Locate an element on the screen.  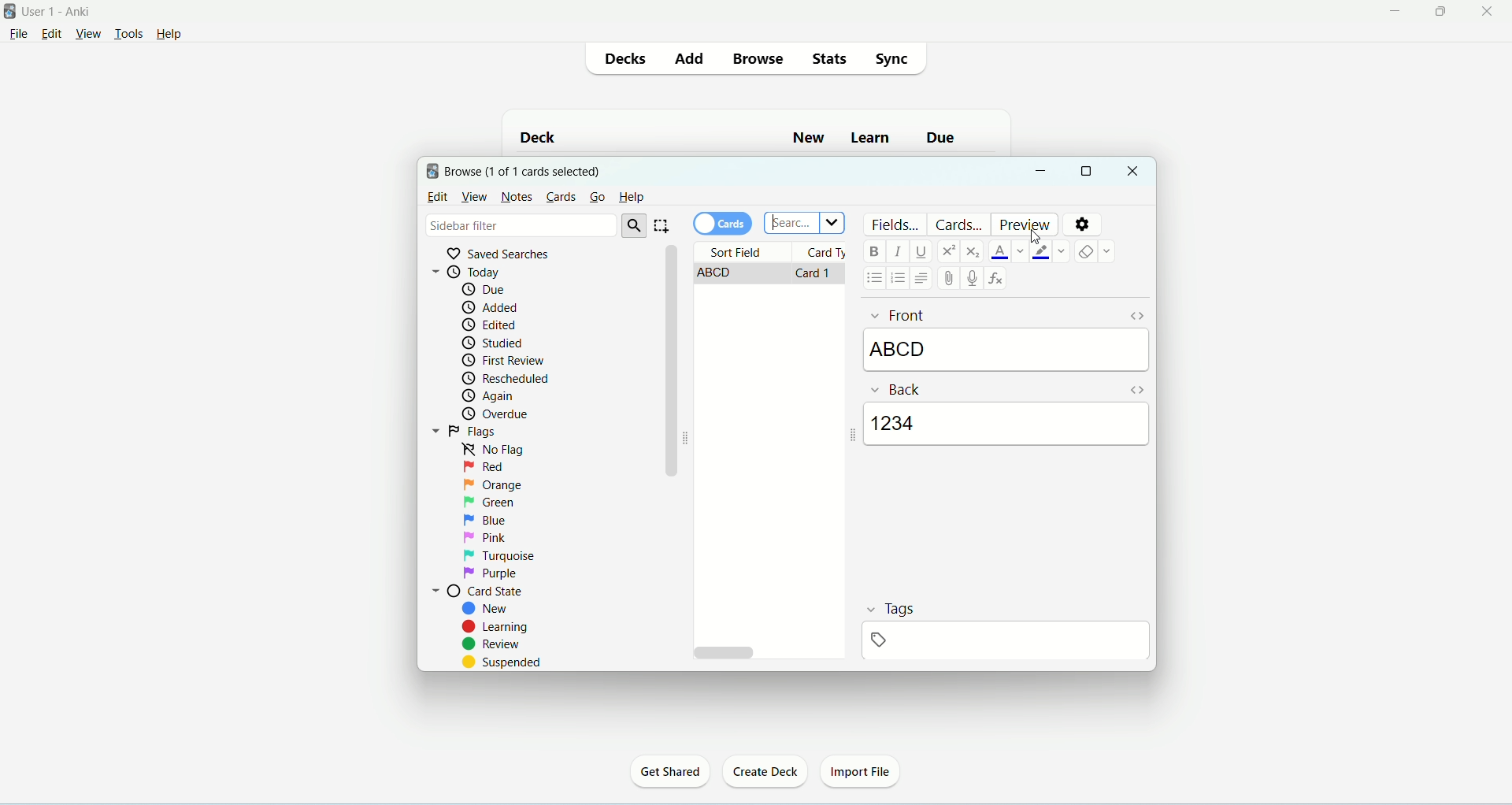
tags is located at coordinates (890, 607).